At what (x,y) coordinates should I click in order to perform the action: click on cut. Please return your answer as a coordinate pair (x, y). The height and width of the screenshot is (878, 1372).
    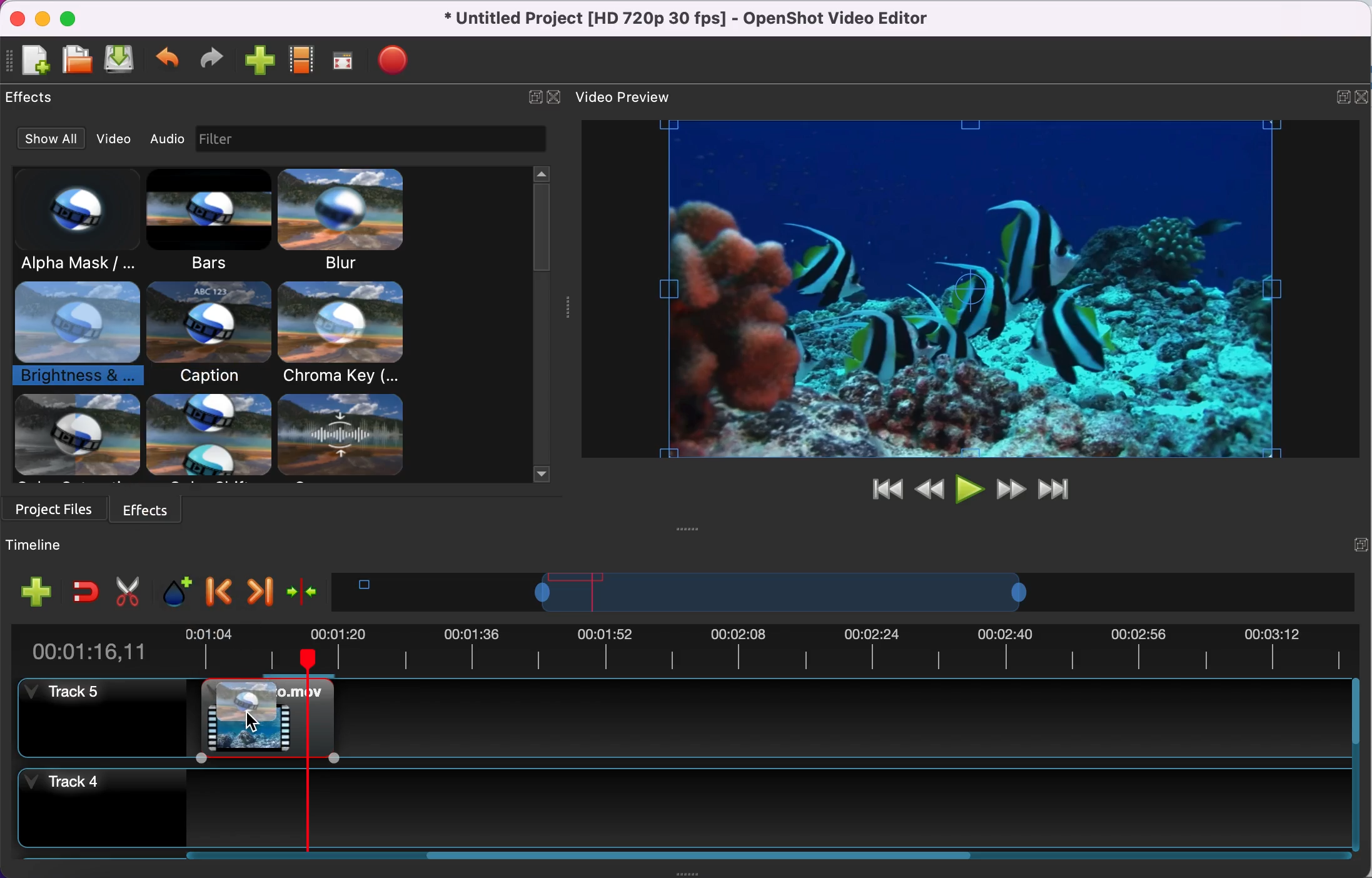
    Looking at the image, I should click on (125, 590).